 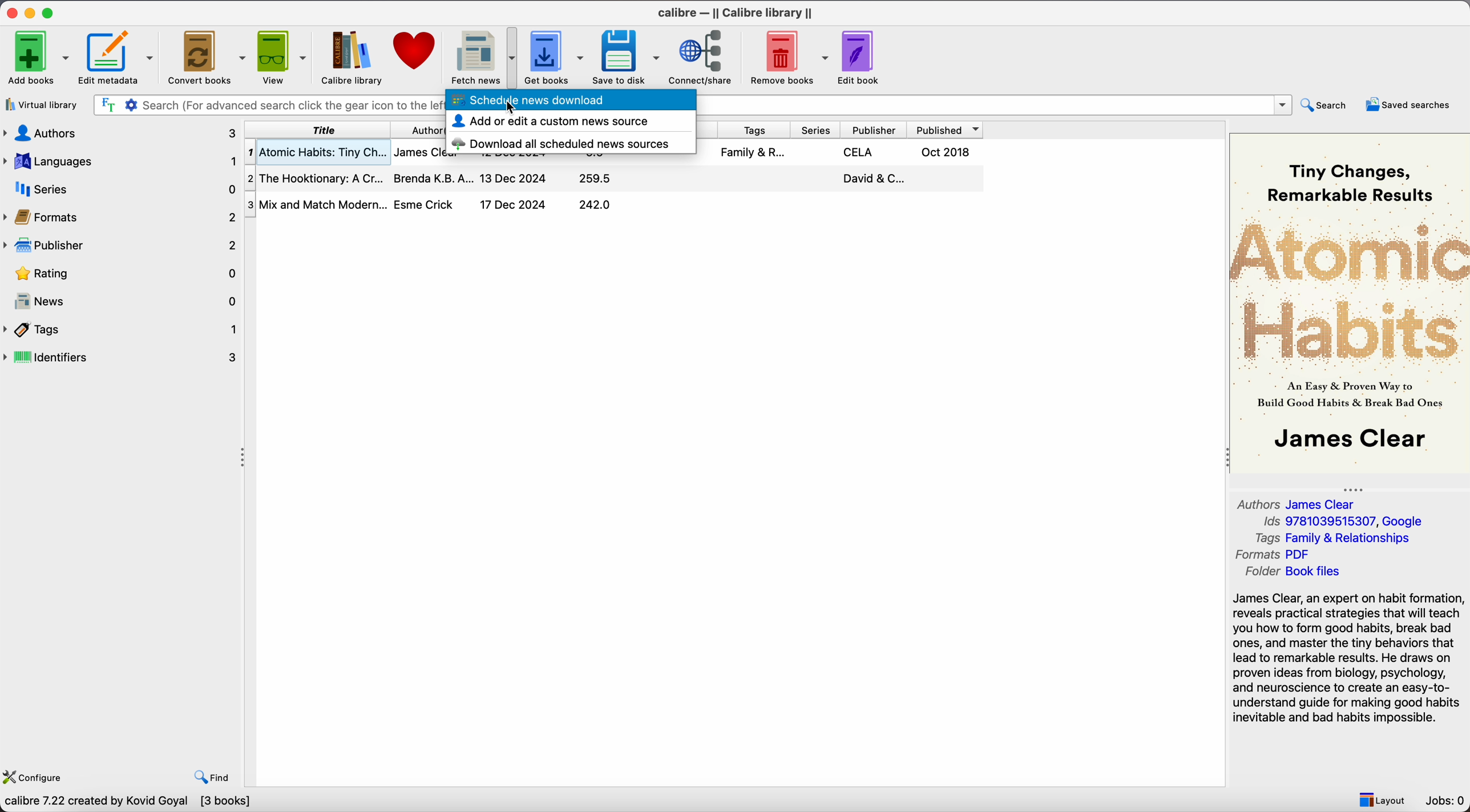 I want to click on Oct 2018, so click(x=947, y=152).